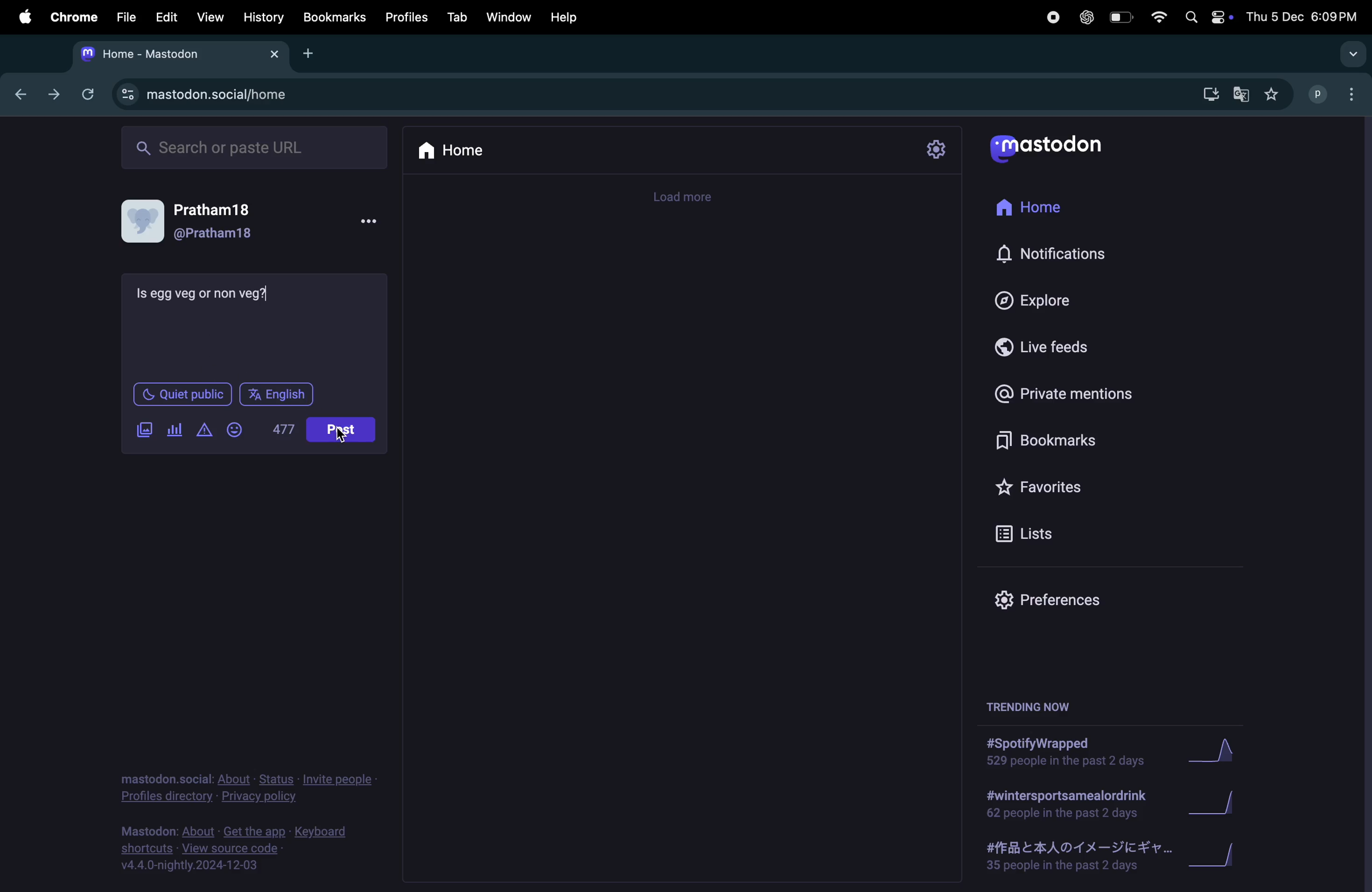  What do you see at coordinates (568, 17) in the screenshot?
I see `help` at bounding box center [568, 17].